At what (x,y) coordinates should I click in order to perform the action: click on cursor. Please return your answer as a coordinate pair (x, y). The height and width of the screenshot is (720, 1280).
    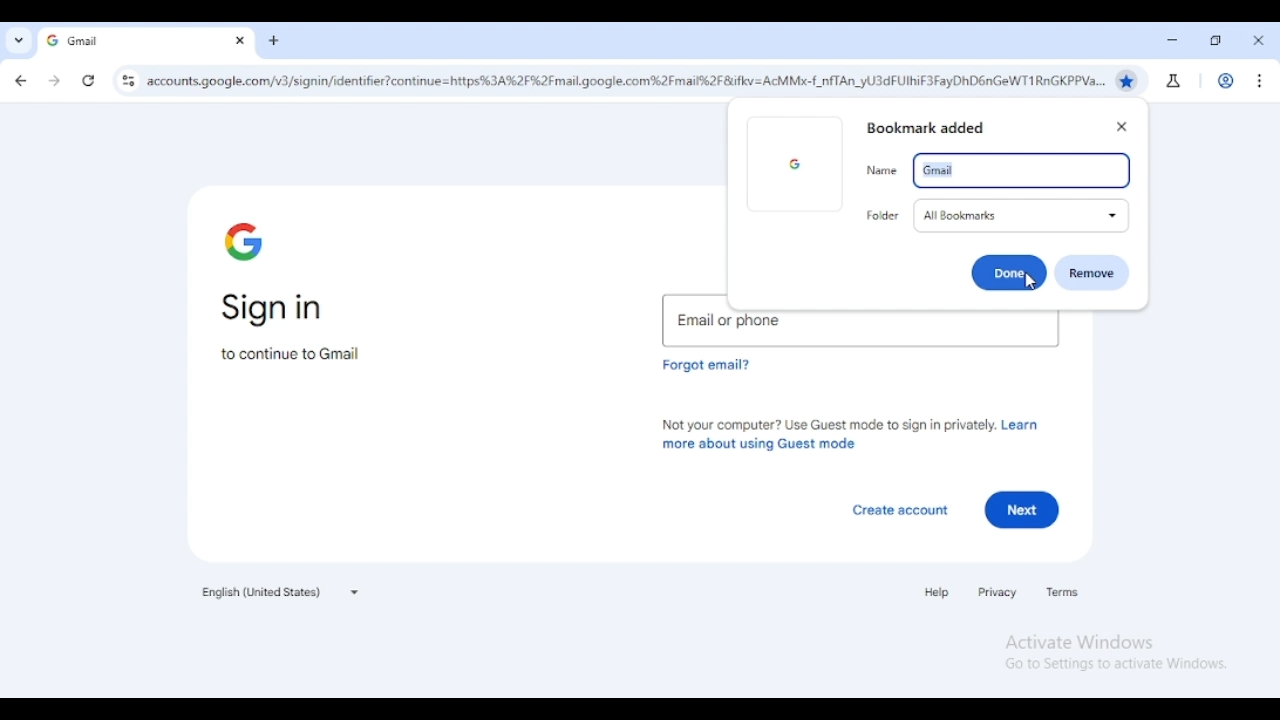
    Looking at the image, I should click on (1032, 283).